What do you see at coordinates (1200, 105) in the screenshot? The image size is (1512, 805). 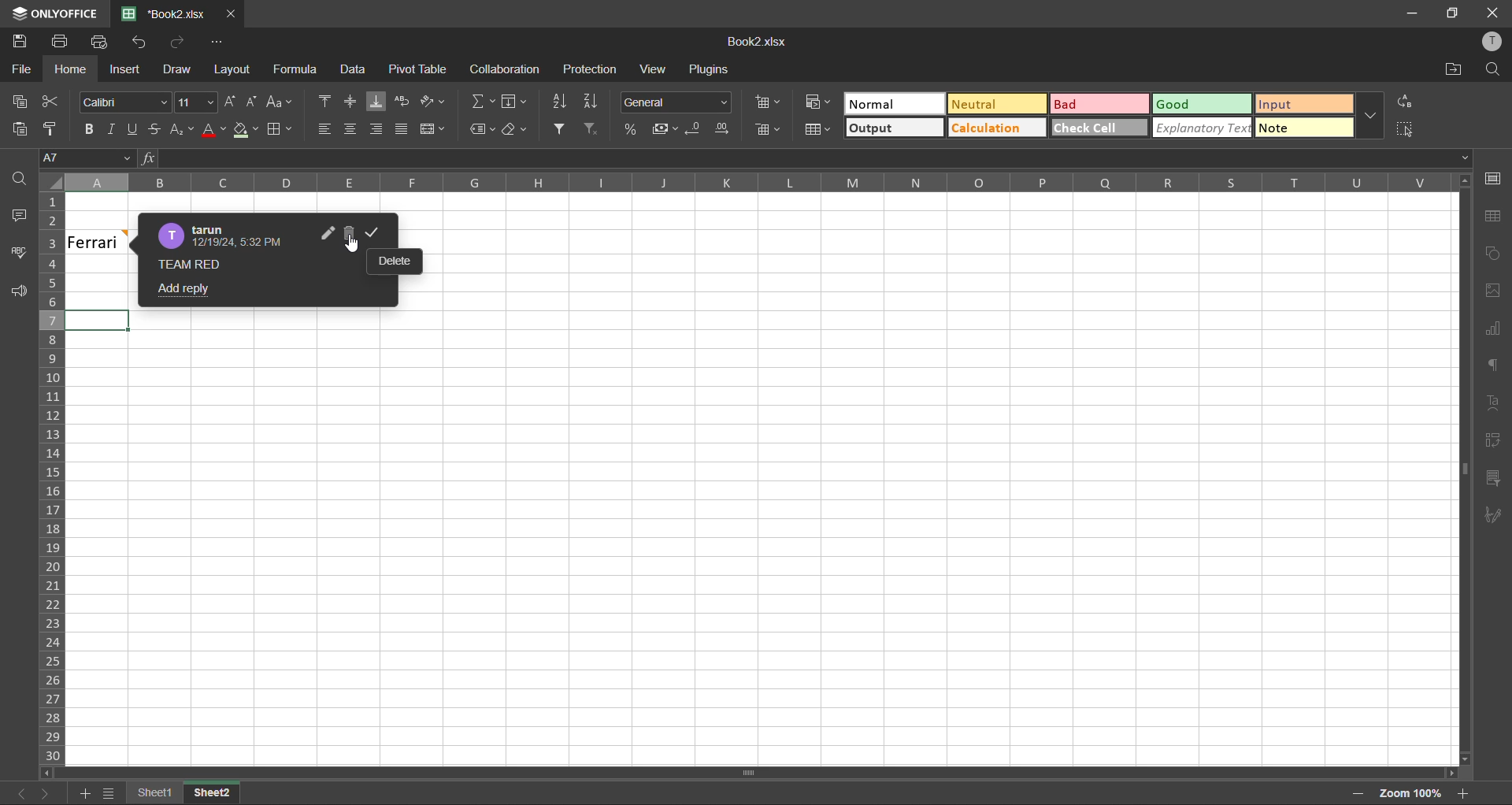 I see `good` at bounding box center [1200, 105].